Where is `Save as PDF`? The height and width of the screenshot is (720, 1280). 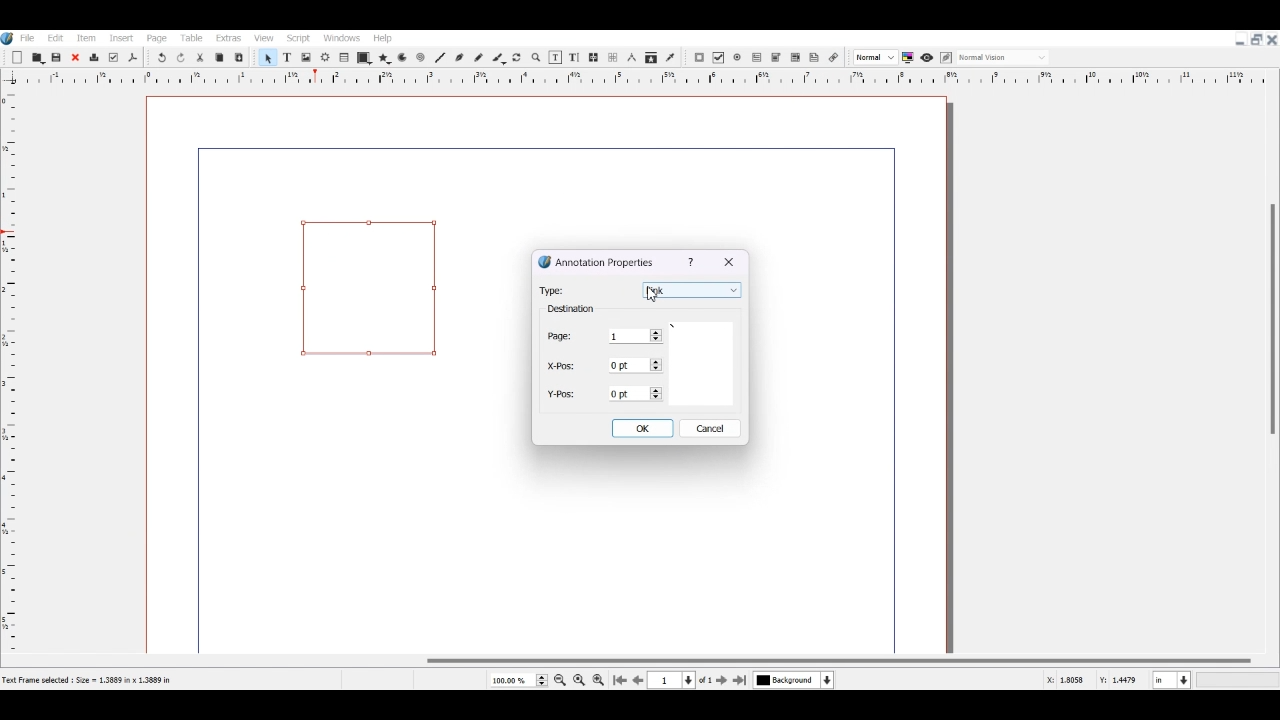
Save as PDF is located at coordinates (133, 58).